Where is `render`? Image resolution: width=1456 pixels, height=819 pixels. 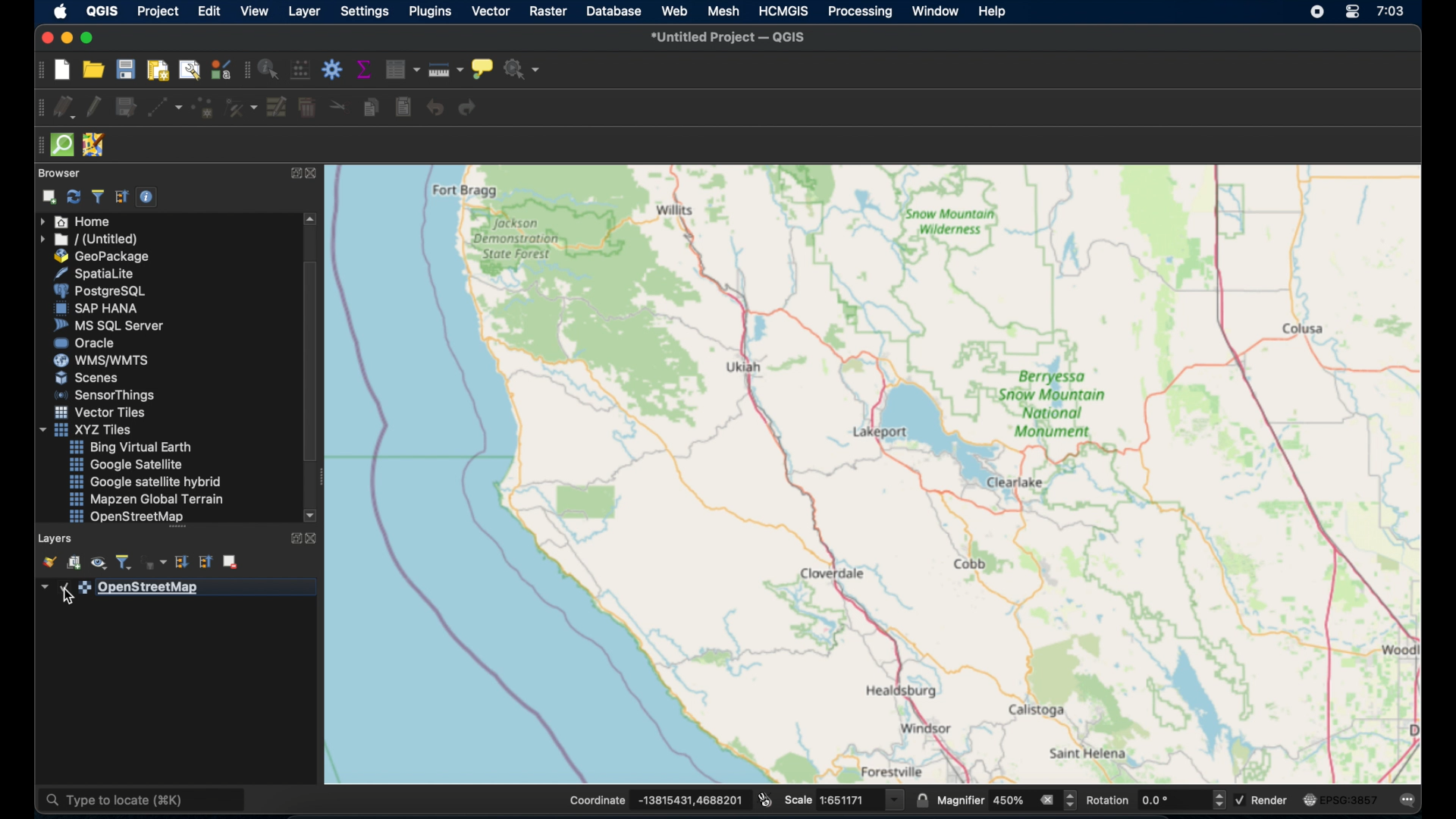
render is located at coordinates (1265, 801).